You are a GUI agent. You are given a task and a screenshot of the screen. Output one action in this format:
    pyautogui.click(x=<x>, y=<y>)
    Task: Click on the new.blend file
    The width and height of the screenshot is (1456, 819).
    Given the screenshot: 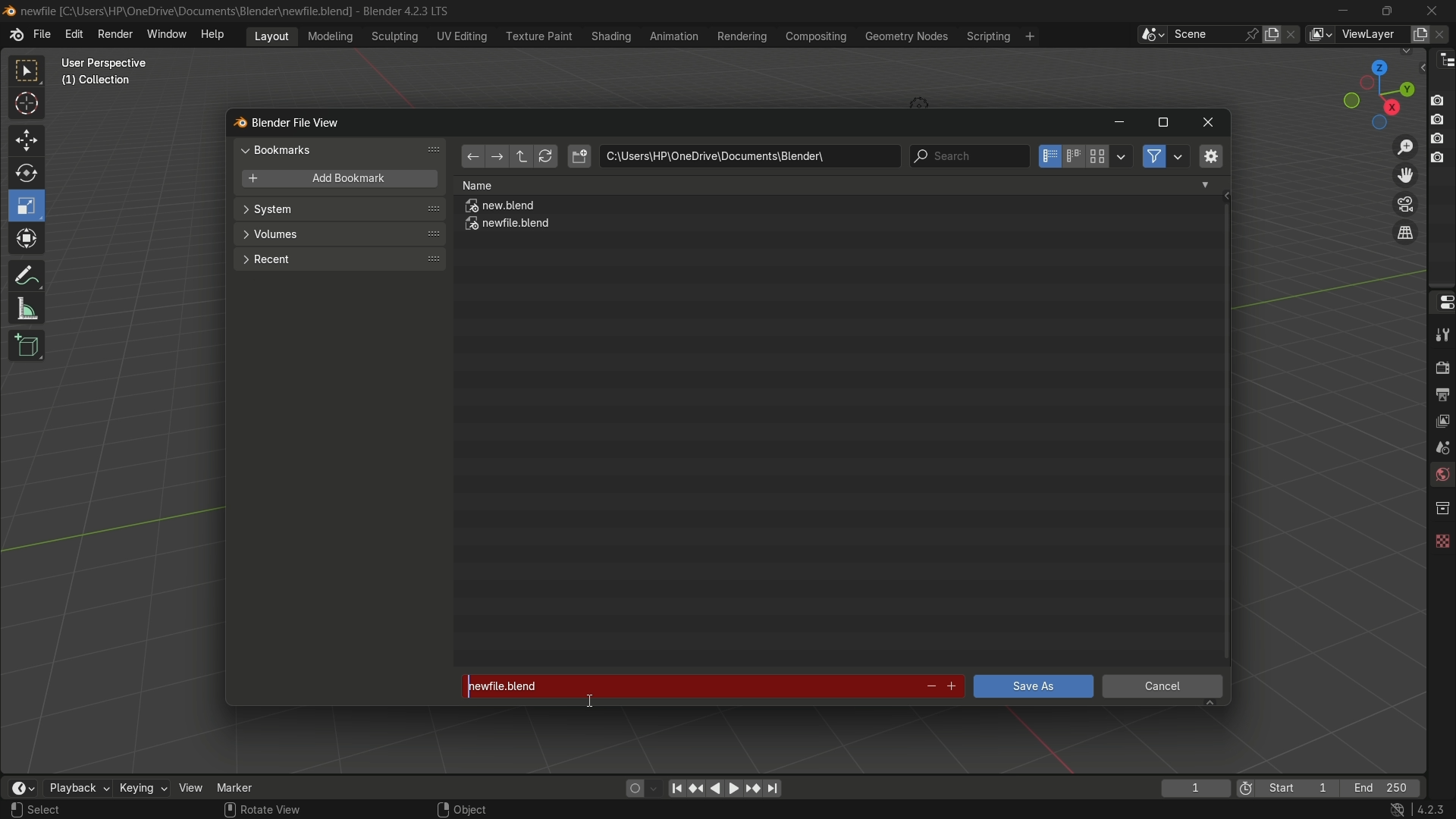 What is the action you would take?
    pyautogui.click(x=501, y=208)
    